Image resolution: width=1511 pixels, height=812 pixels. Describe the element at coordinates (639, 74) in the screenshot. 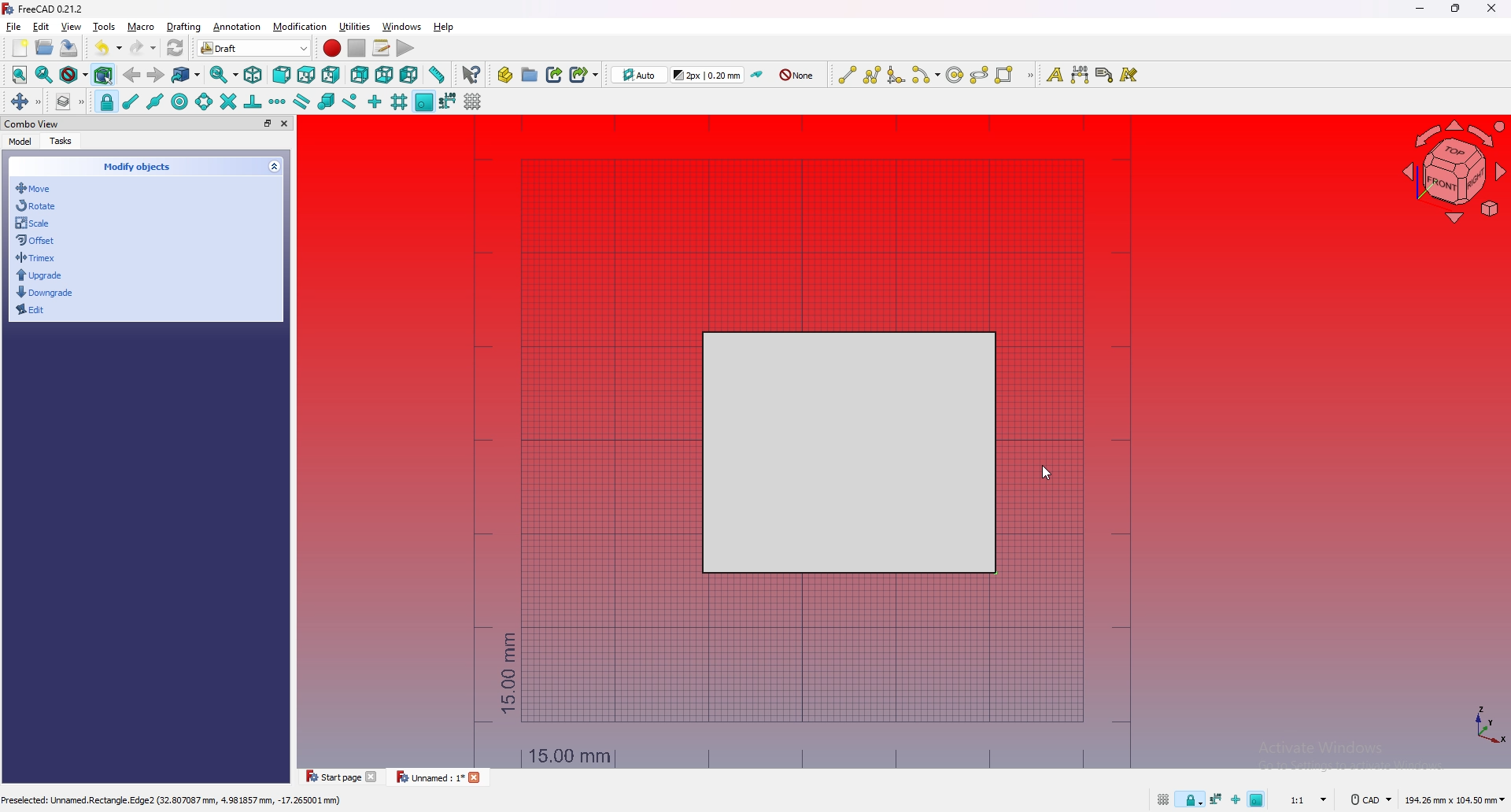

I see `change working plane` at that location.